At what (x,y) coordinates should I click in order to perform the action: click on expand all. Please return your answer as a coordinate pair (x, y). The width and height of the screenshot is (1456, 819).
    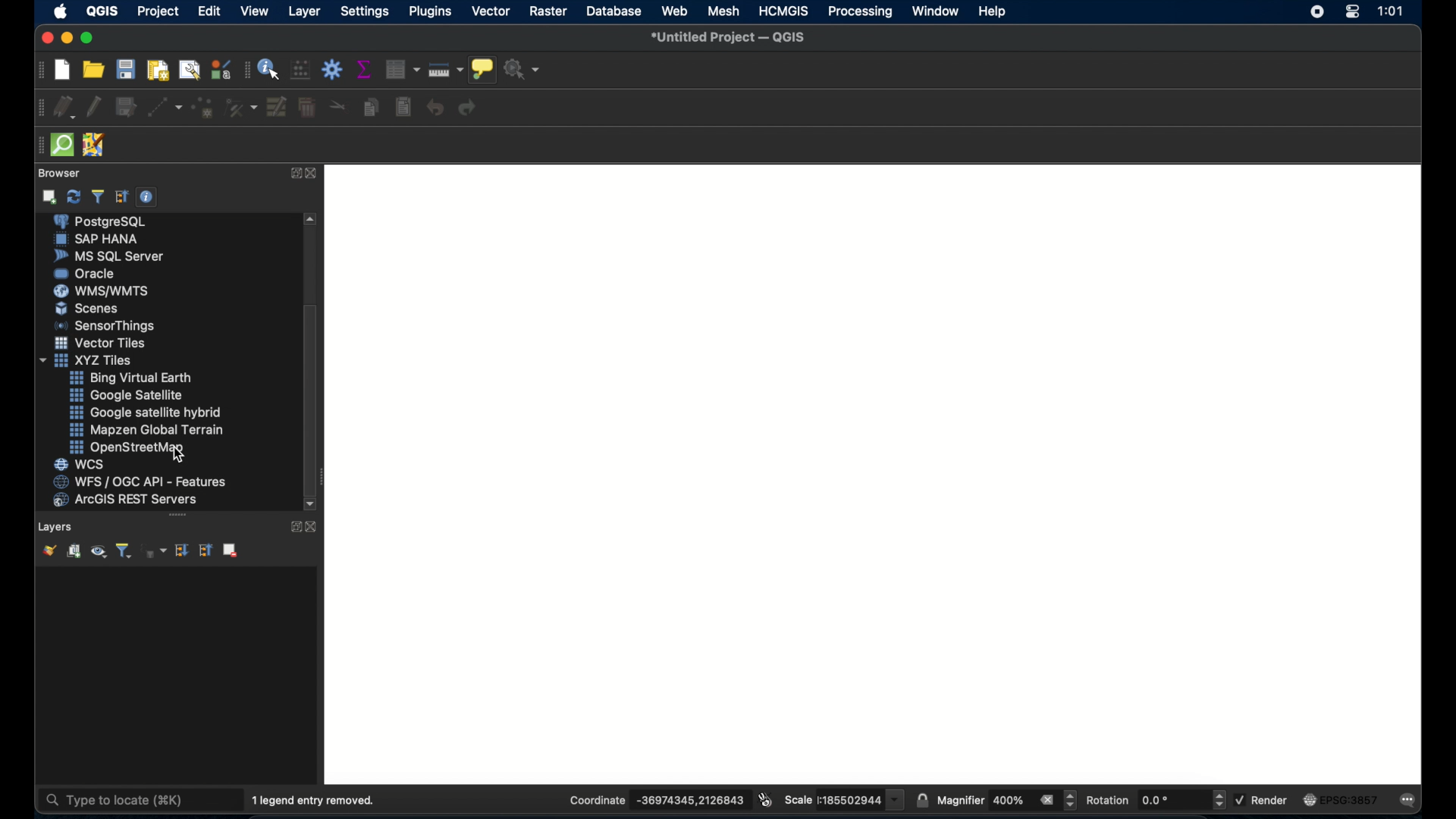
    Looking at the image, I should click on (182, 551).